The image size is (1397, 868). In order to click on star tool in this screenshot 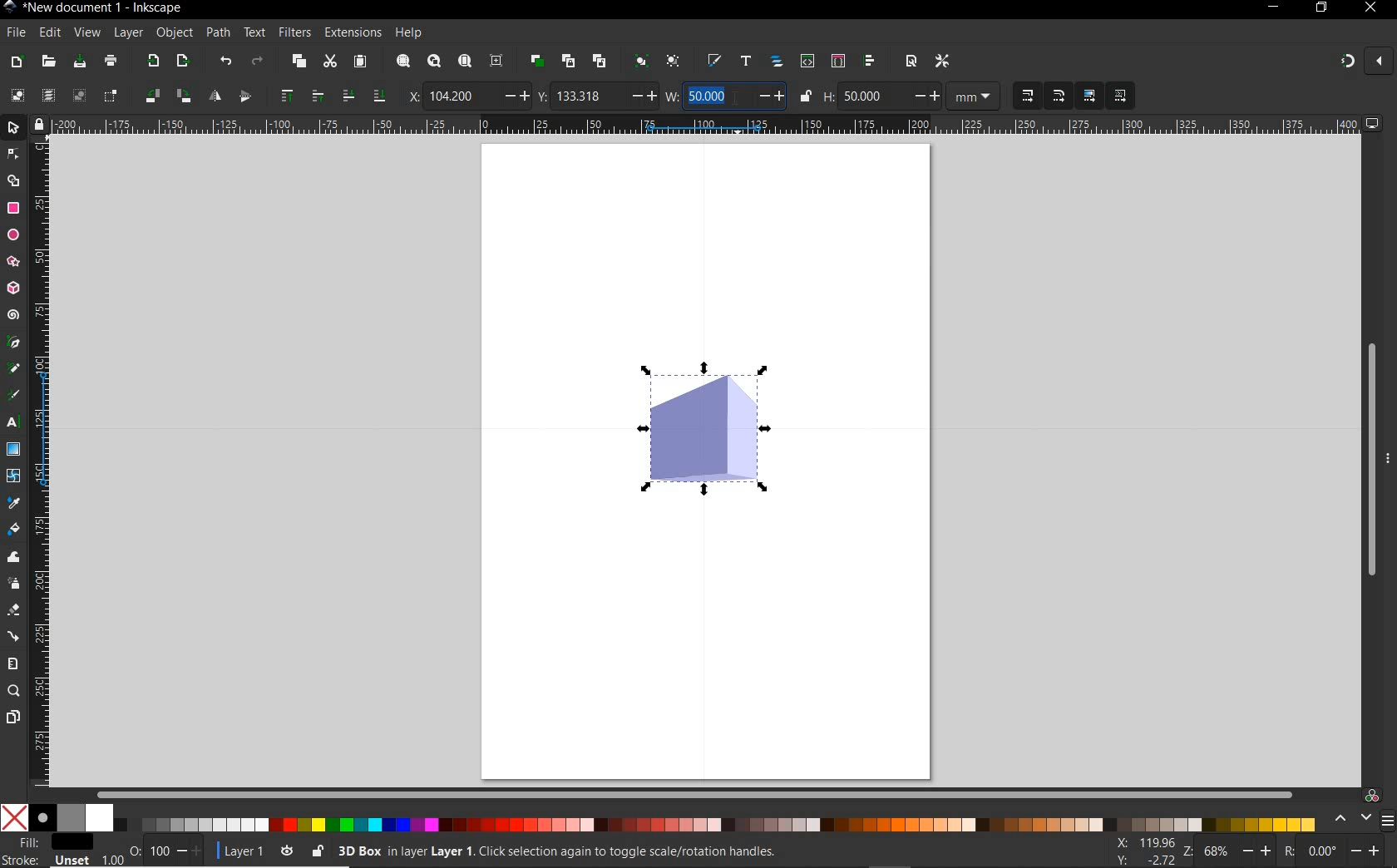, I will do `click(13, 262)`.